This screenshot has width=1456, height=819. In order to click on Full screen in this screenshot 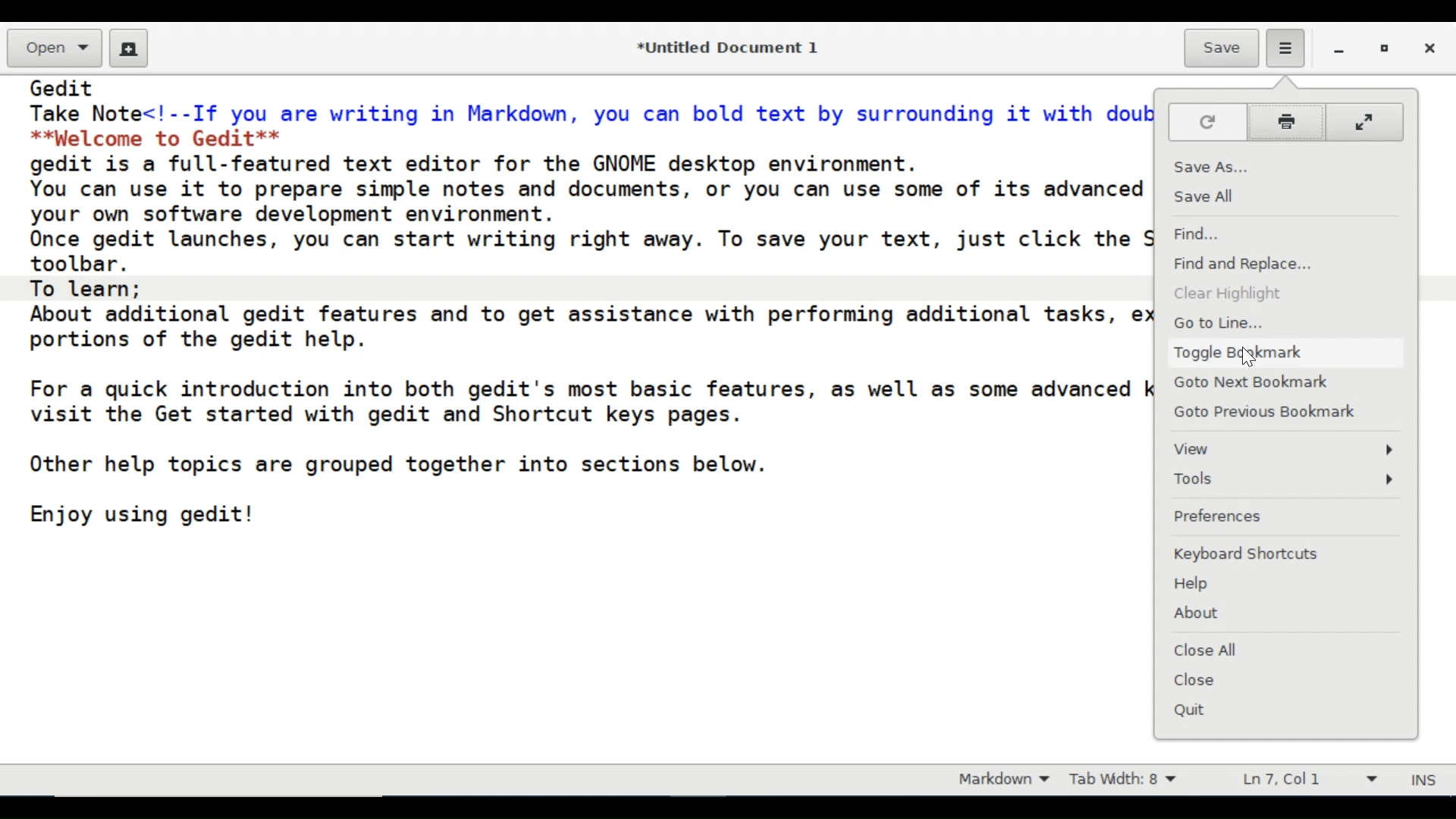, I will do `click(1369, 121)`.